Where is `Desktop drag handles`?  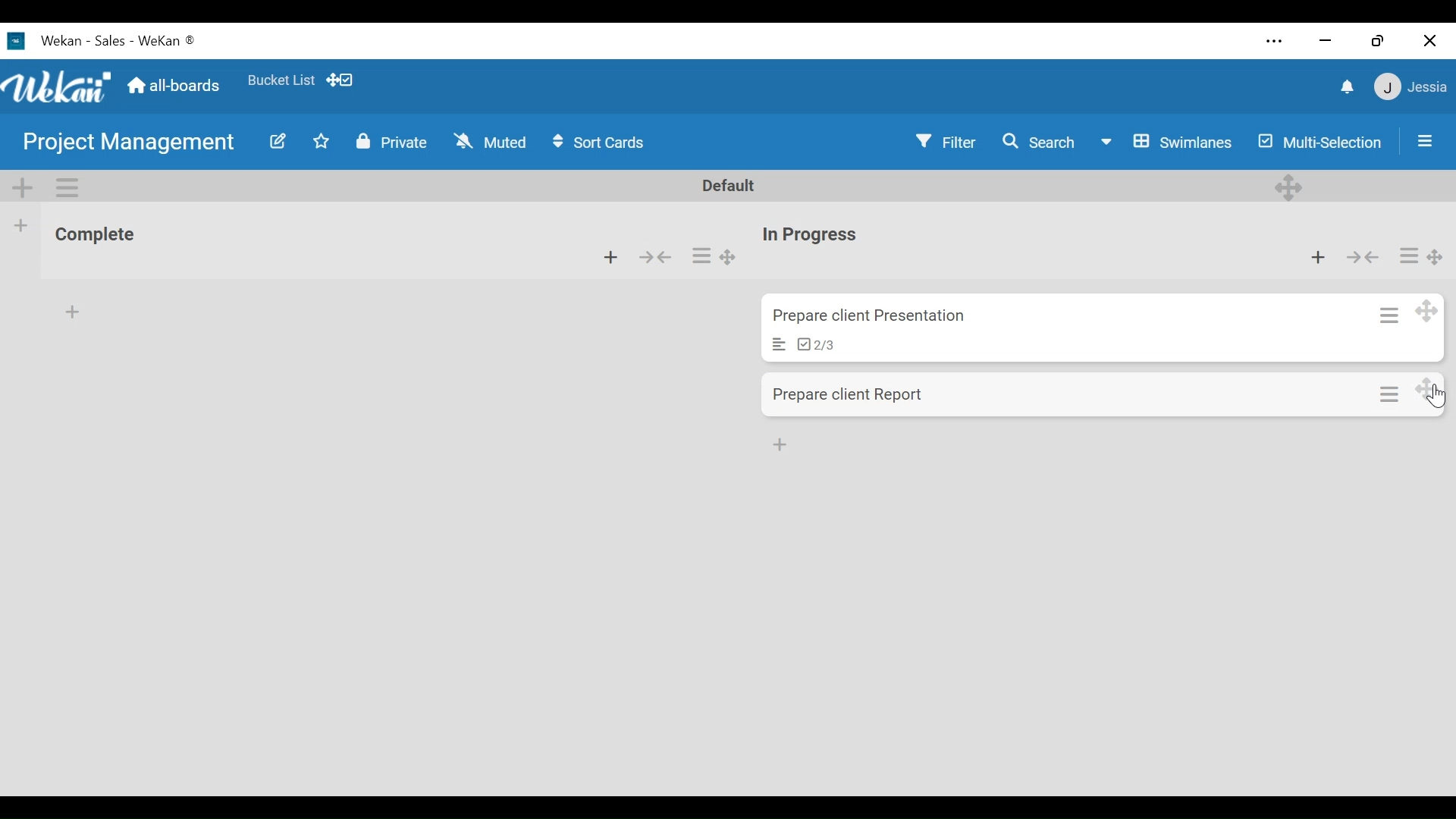
Desktop drag handles is located at coordinates (1287, 186).